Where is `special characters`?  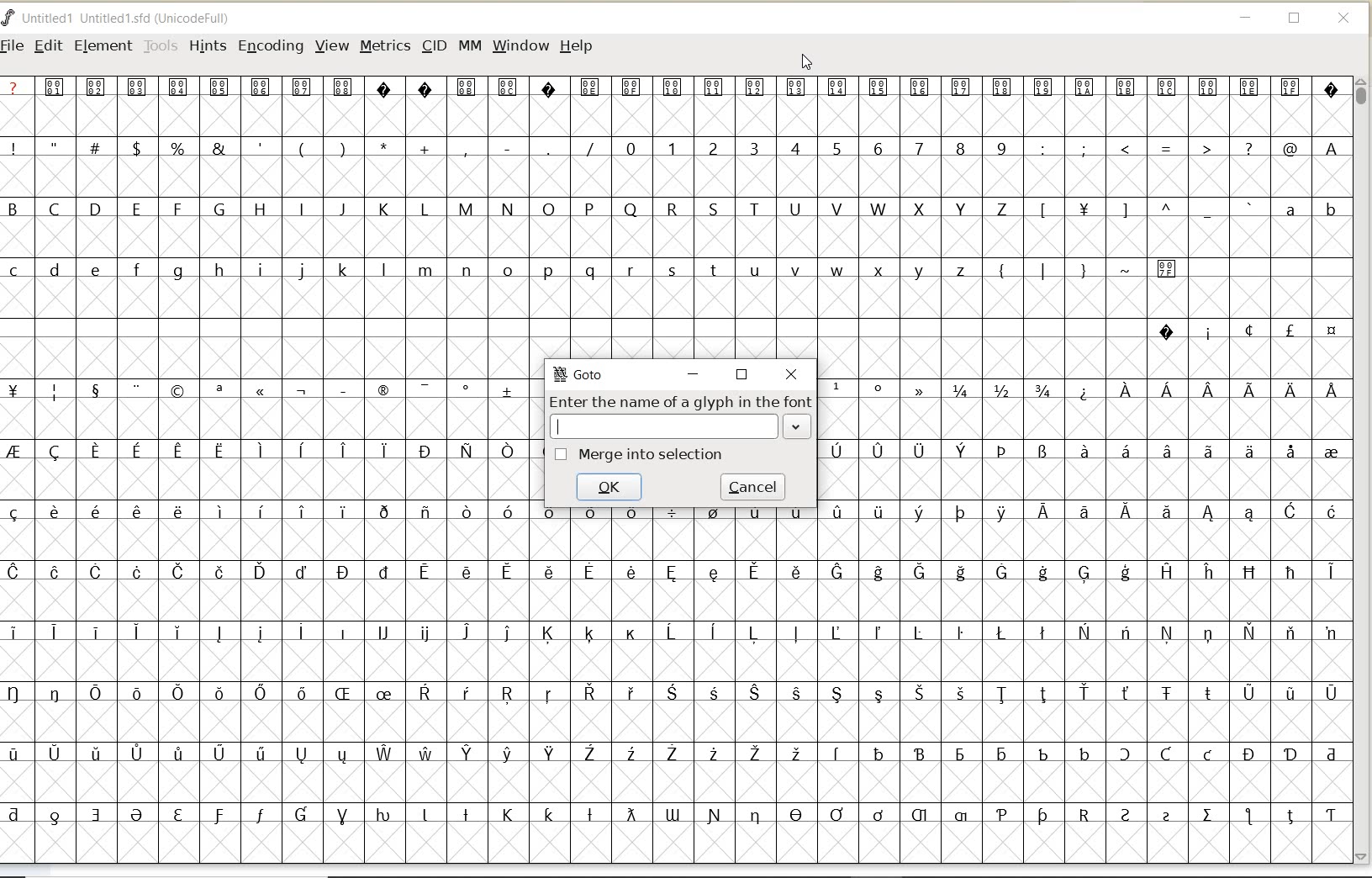
special characters is located at coordinates (1193, 149).